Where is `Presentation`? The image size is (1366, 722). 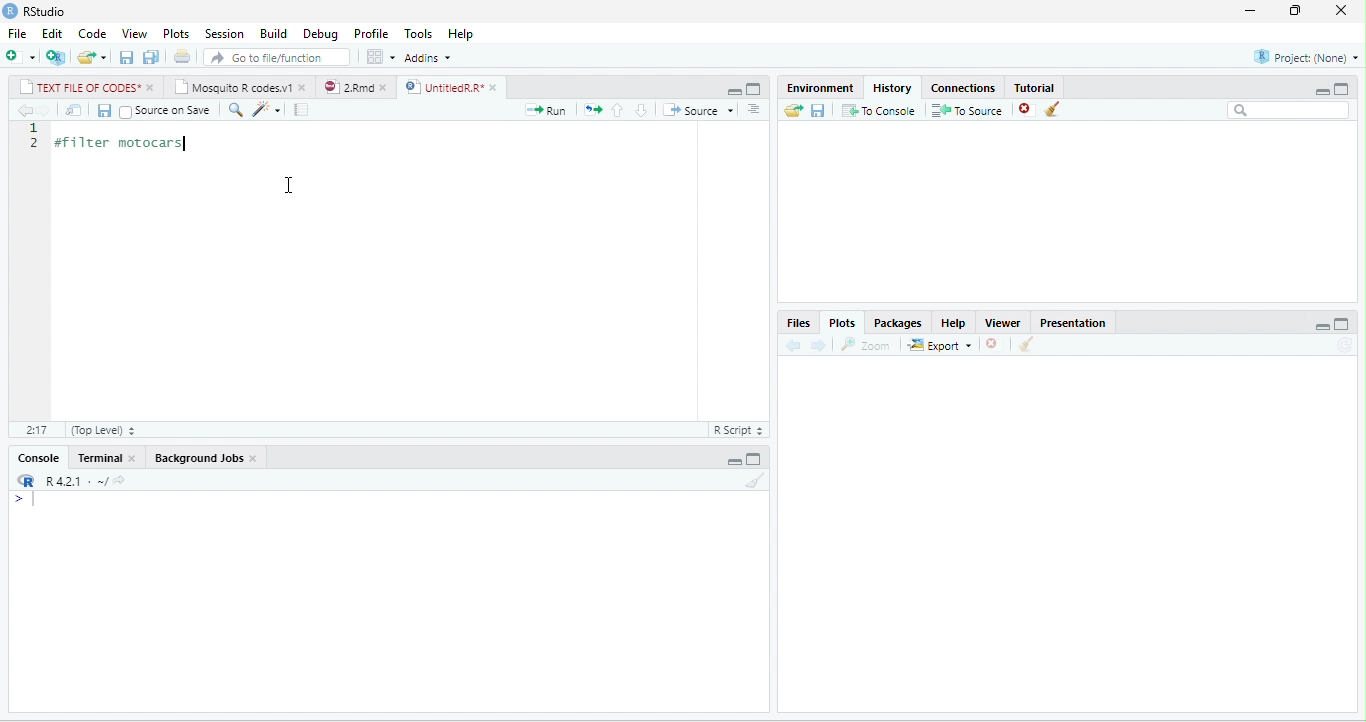 Presentation is located at coordinates (1072, 323).